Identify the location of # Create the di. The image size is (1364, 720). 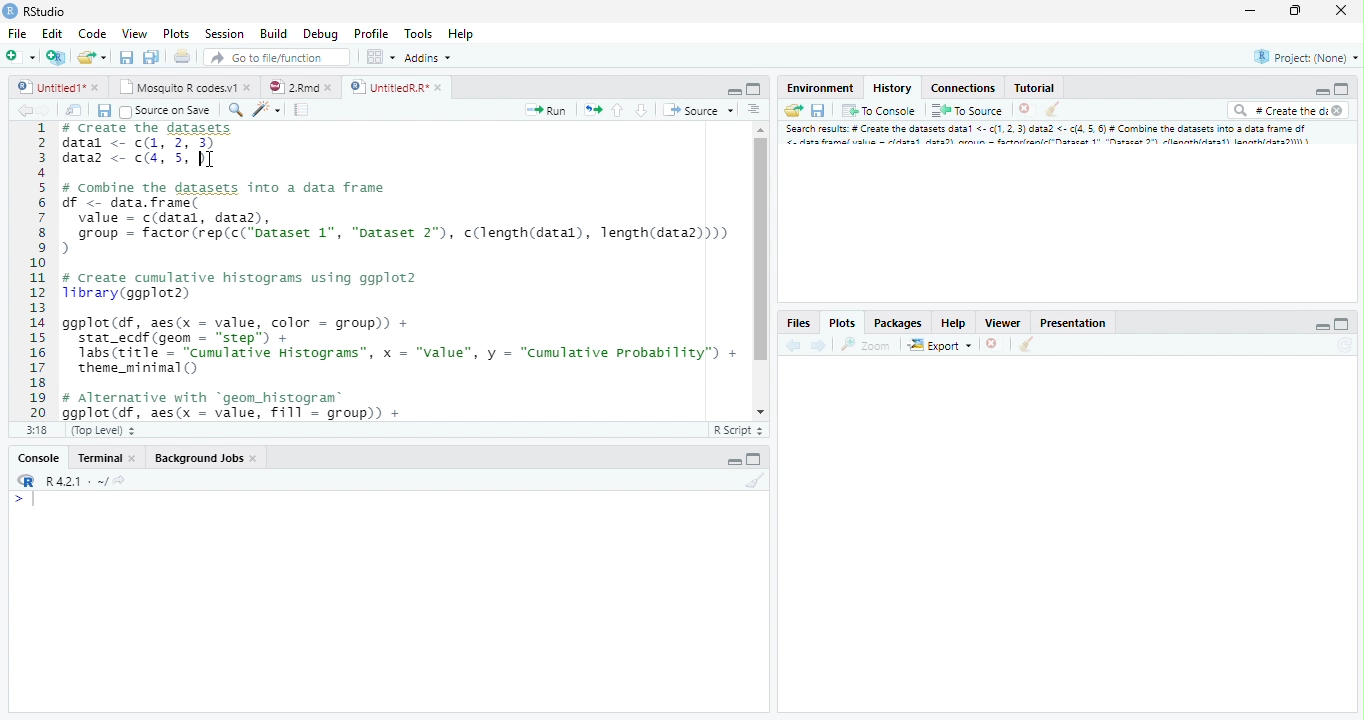
(1286, 112).